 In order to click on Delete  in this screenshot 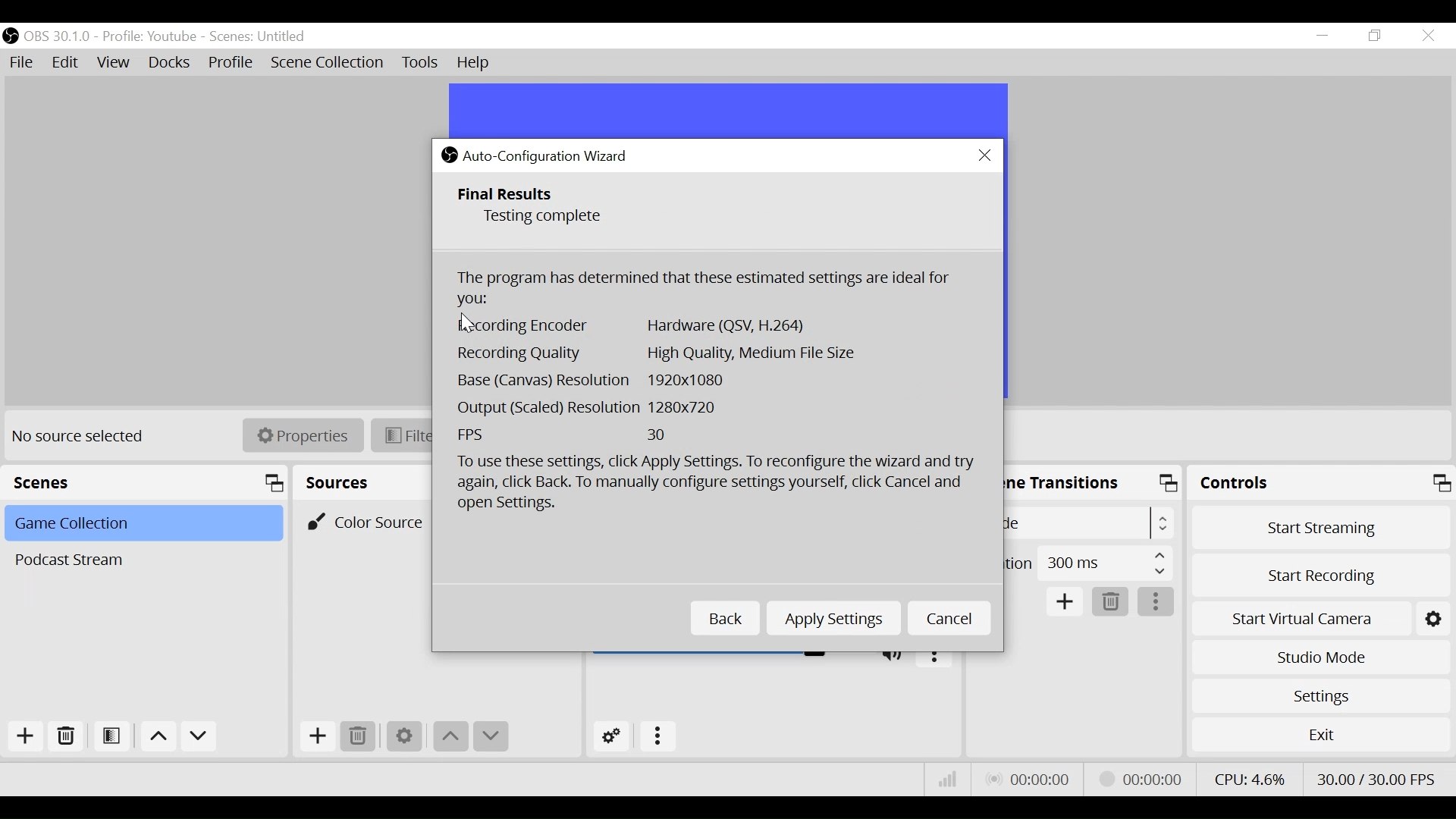, I will do `click(1112, 602)`.